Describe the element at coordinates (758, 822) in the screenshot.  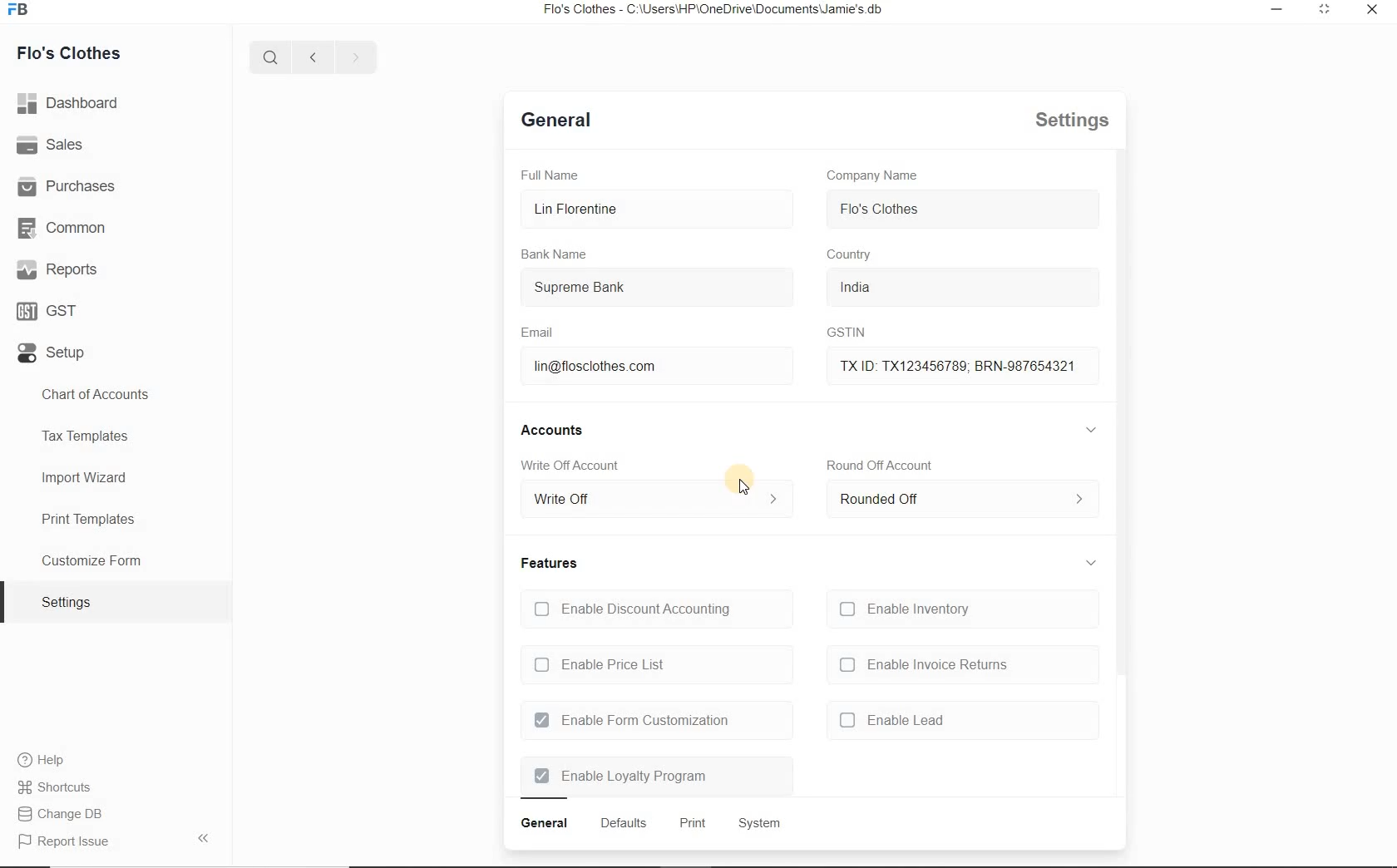
I see `system` at that location.